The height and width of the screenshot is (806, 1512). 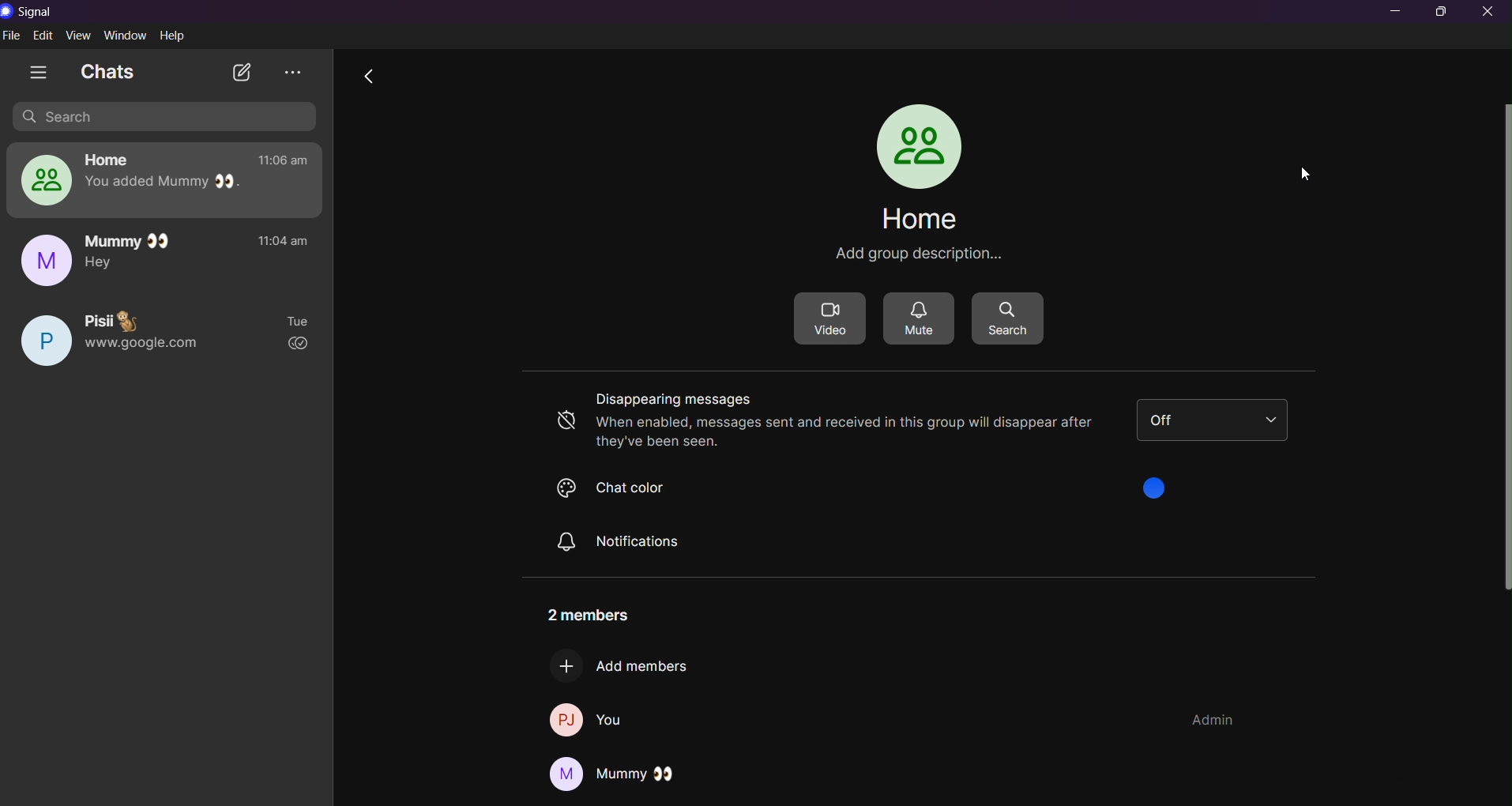 What do you see at coordinates (1442, 12) in the screenshot?
I see `maximize` at bounding box center [1442, 12].